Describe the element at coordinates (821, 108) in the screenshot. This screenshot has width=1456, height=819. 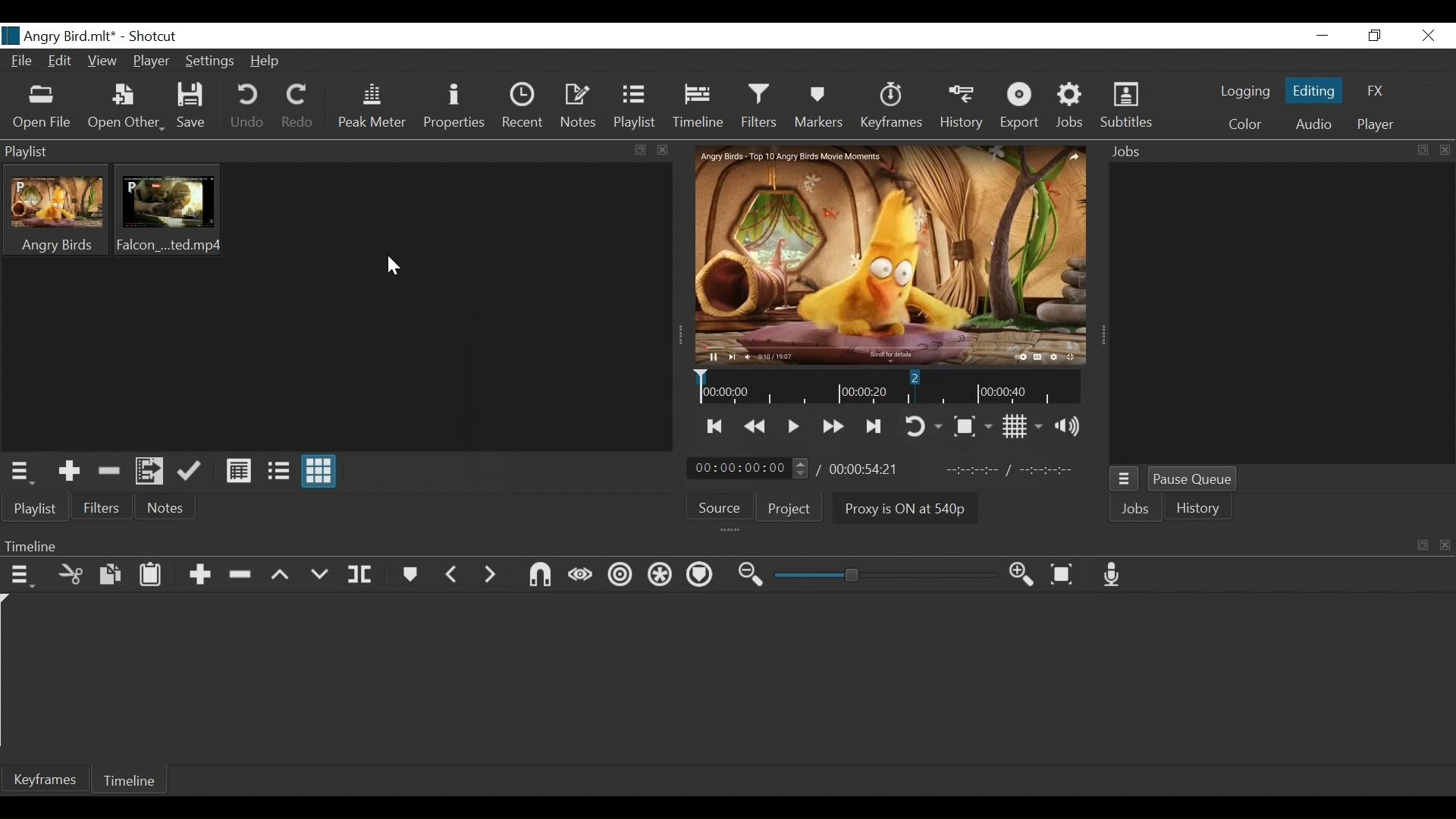
I see `Markers` at that location.